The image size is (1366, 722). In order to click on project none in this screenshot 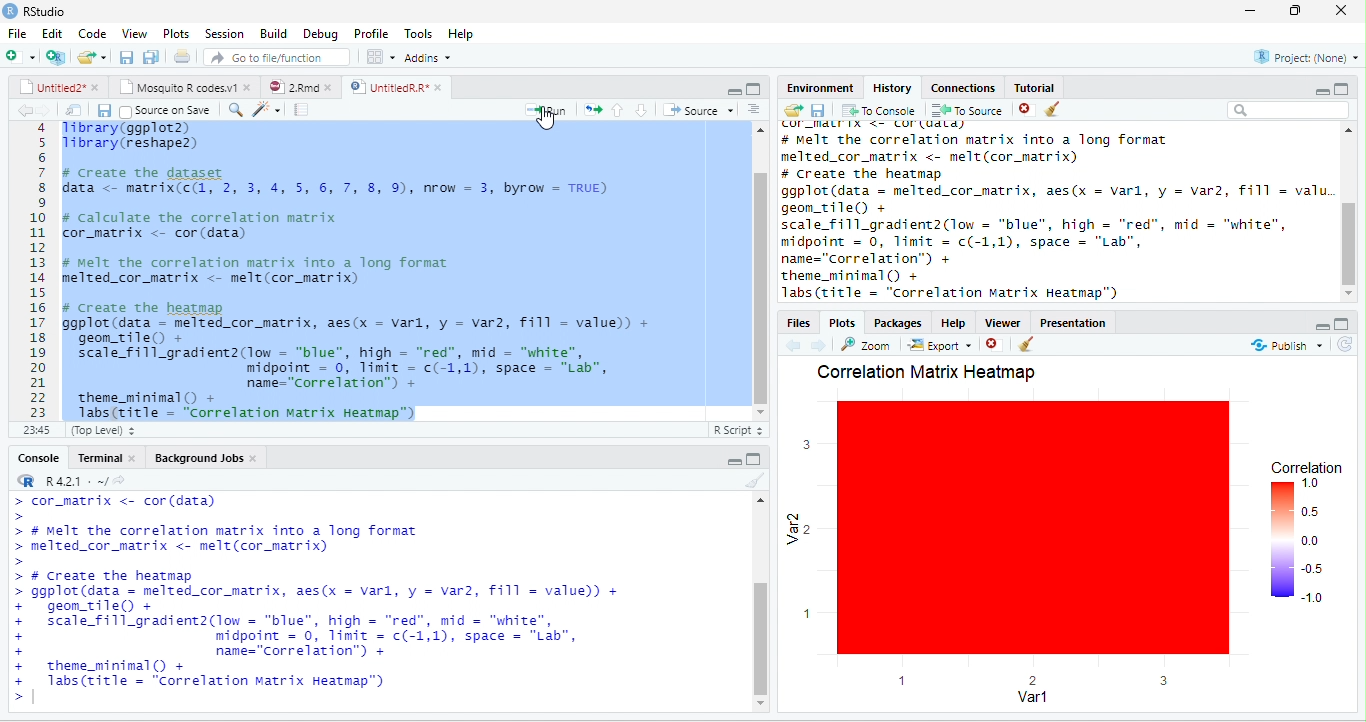, I will do `click(1295, 58)`.